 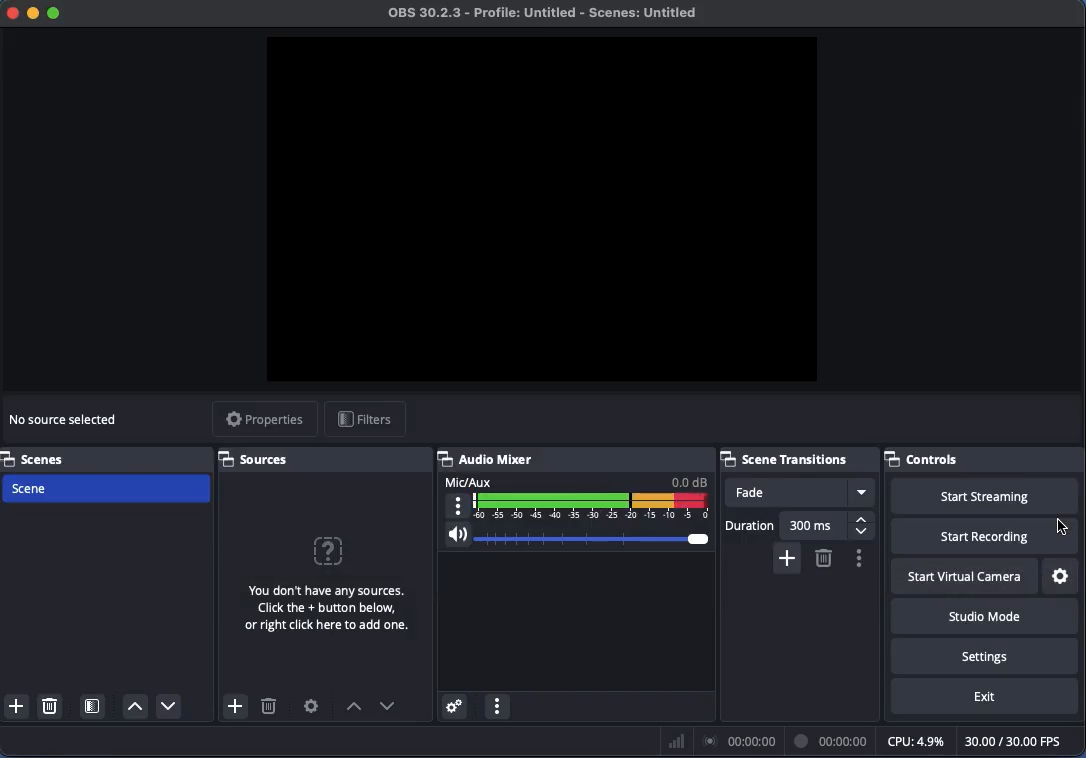 What do you see at coordinates (470, 481) in the screenshot?
I see `Mic/Aux` at bounding box center [470, 481].